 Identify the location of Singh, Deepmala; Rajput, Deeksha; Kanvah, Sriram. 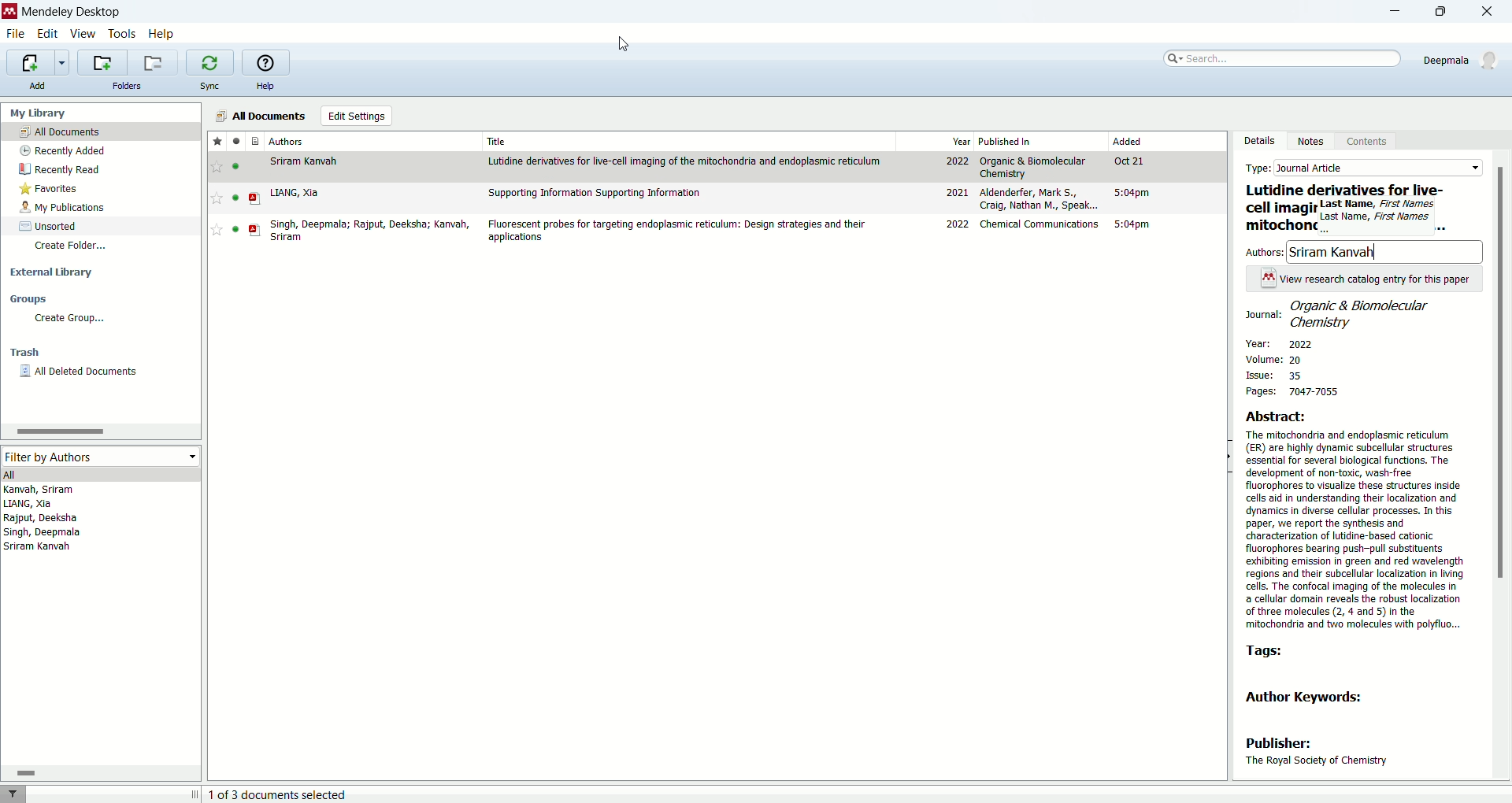
(374, 230).